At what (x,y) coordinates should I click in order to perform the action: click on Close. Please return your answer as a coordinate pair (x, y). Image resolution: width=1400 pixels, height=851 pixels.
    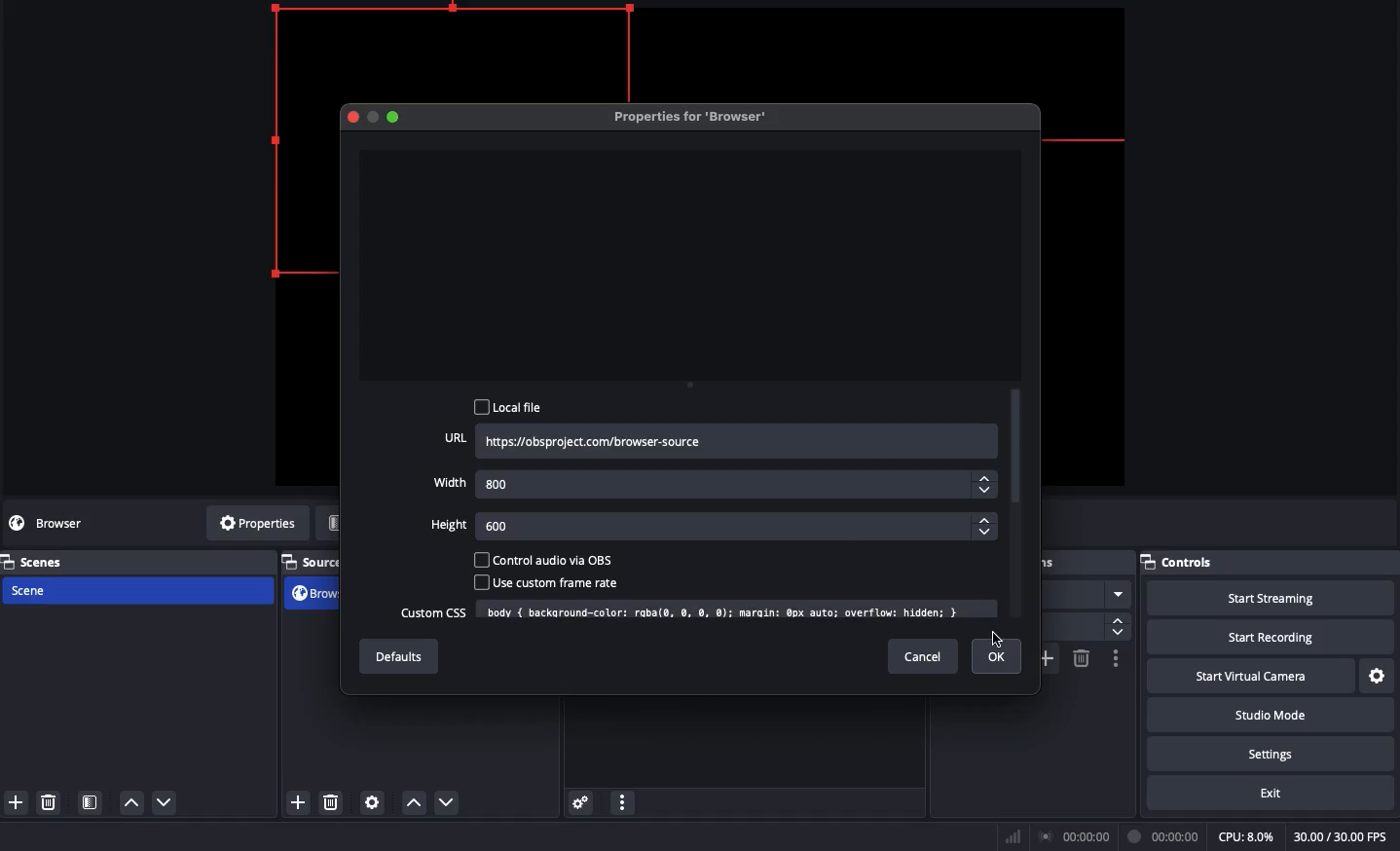
    Looking at the image, I should click on (357, 119).